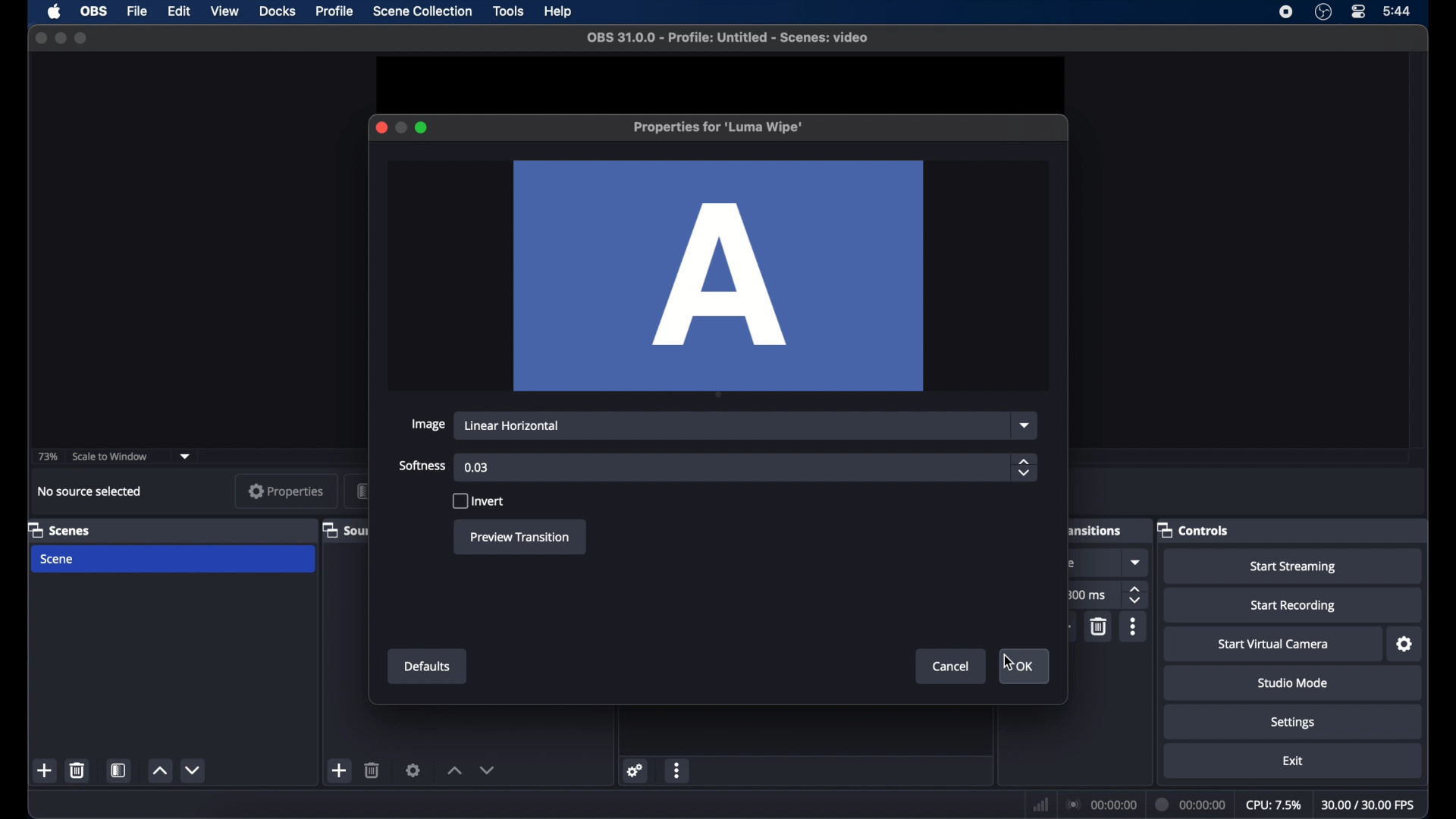 This screenshot has width=1456, height=819. I want to click on close, so click(381, 128).